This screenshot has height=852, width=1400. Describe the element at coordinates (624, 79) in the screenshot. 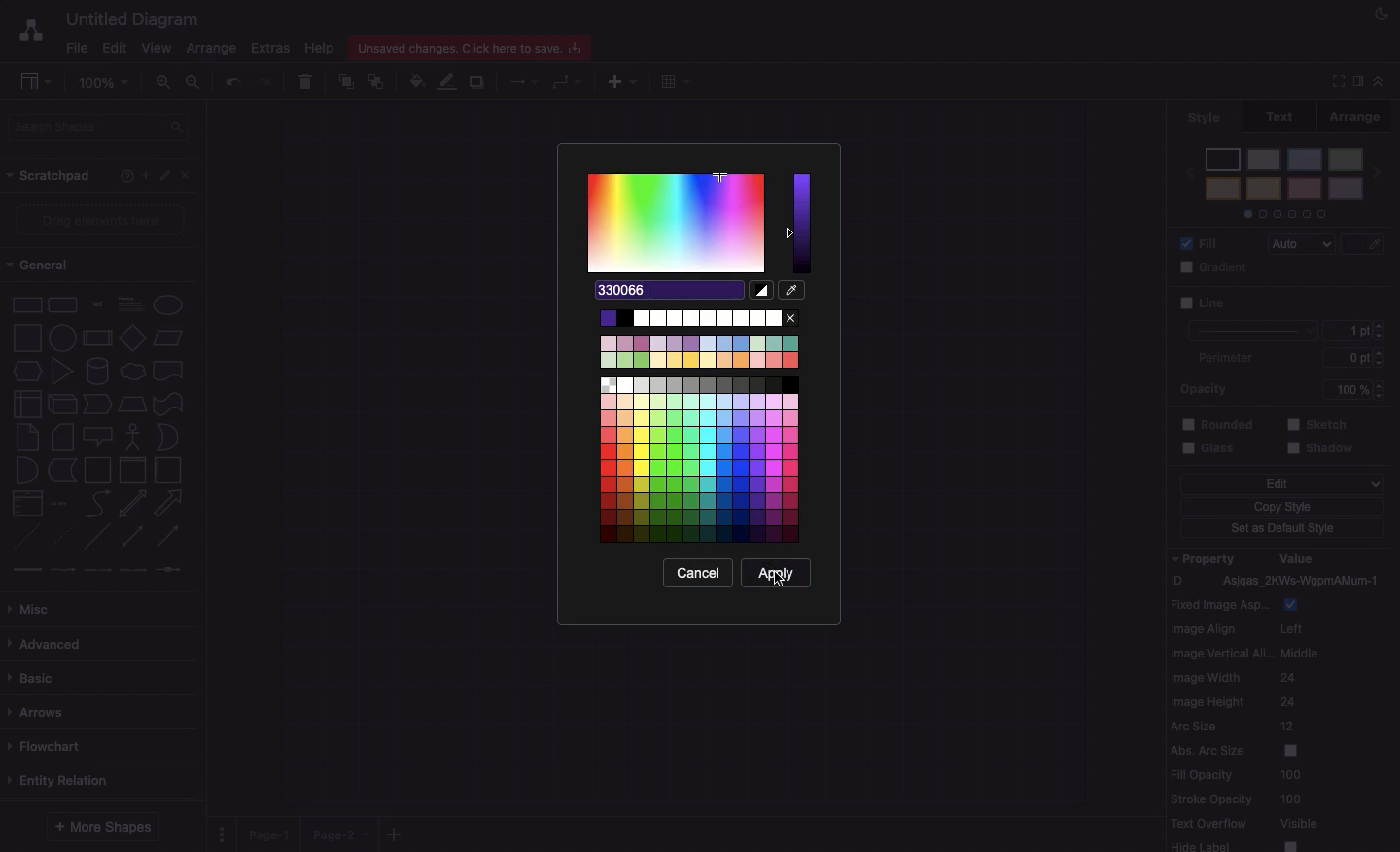

I see `Ad` at that location.